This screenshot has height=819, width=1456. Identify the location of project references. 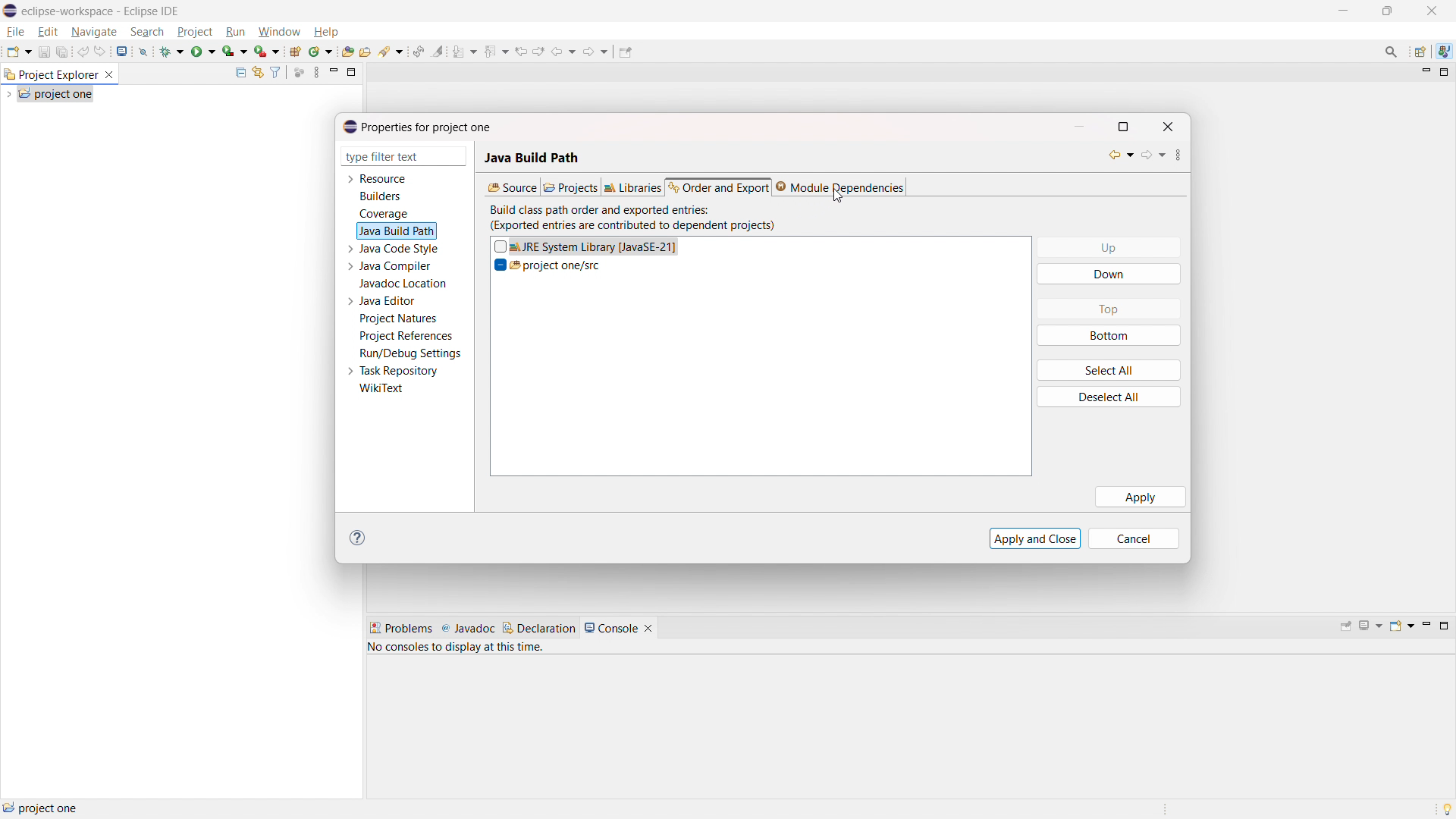
(406, 335).